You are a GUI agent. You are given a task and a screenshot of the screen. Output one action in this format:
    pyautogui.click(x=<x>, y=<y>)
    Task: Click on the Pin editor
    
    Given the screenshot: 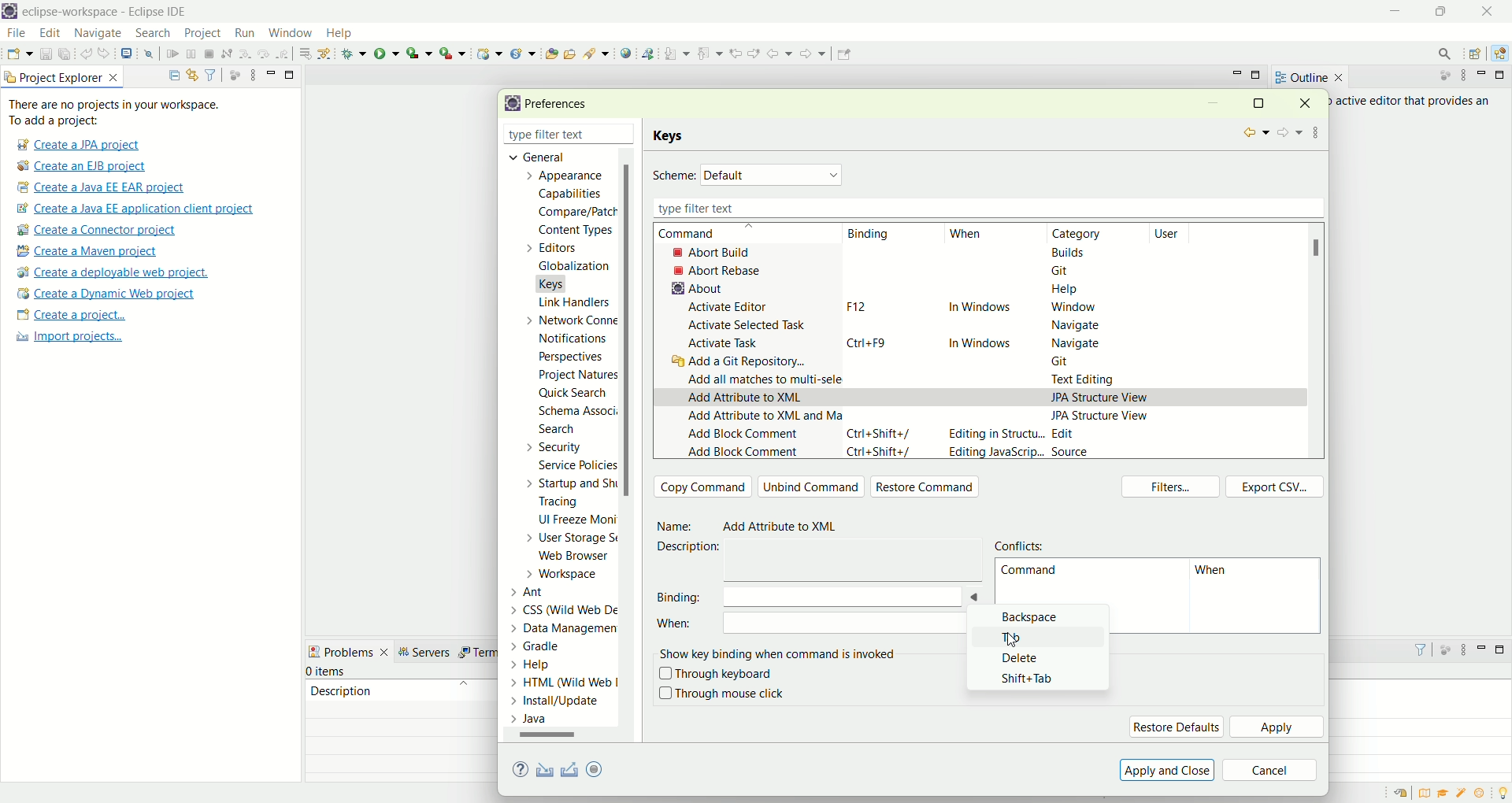 What is the action you would take?
    pyautogui.click(x=842, y=56)
    